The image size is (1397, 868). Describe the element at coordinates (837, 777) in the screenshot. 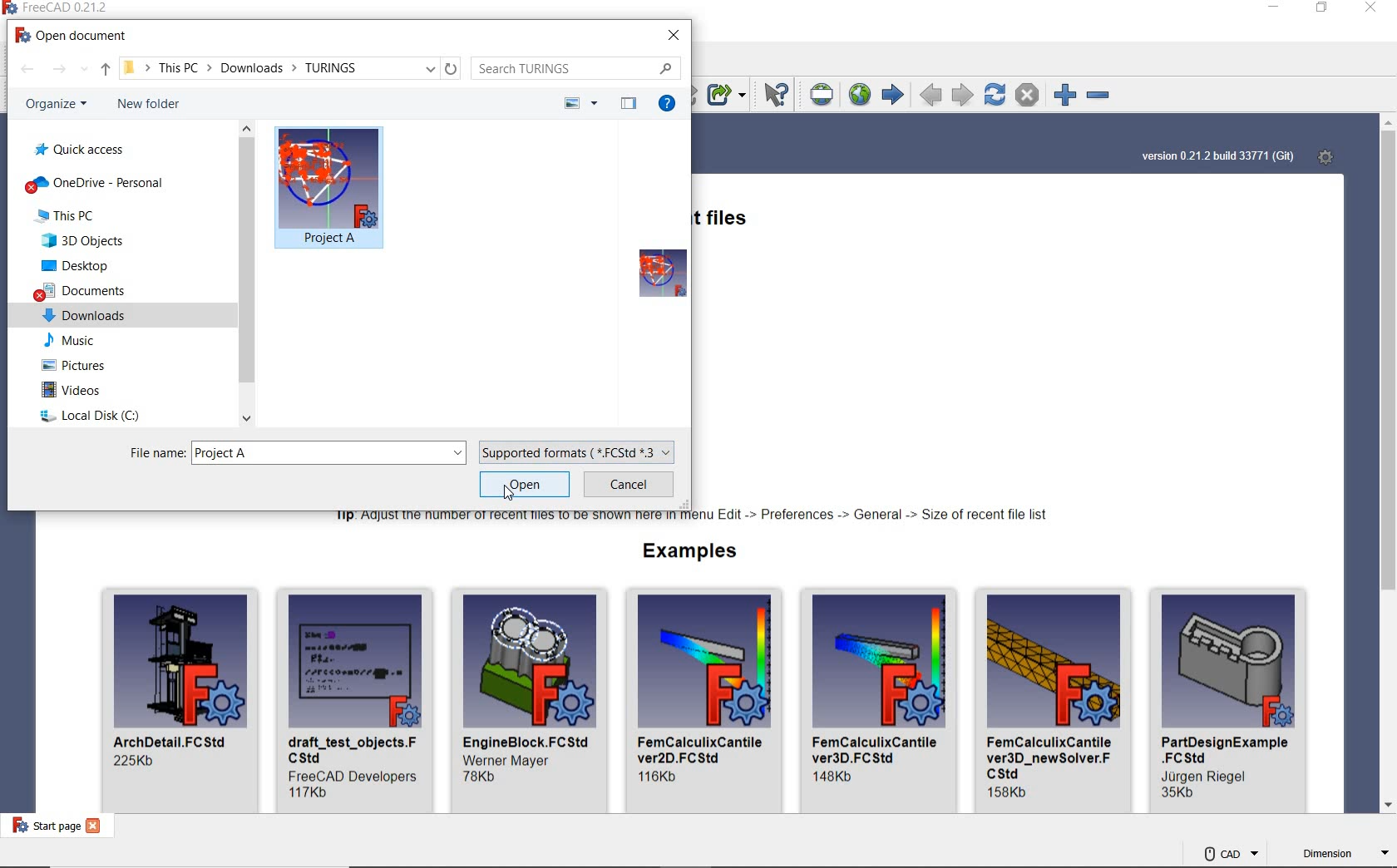

I see `size` at that location.